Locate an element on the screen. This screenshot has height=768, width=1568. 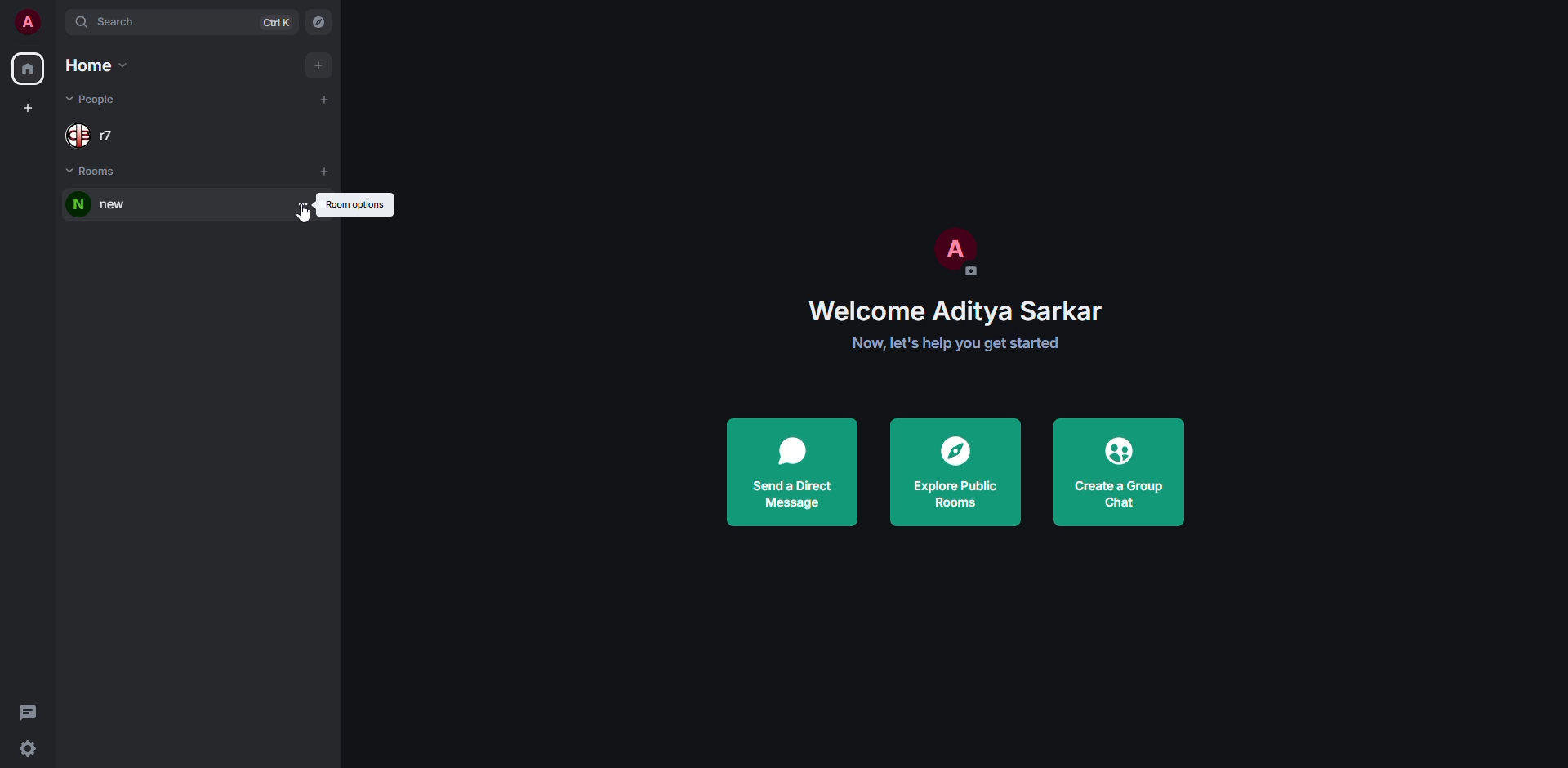
threads is located at coordinates (28, 711).